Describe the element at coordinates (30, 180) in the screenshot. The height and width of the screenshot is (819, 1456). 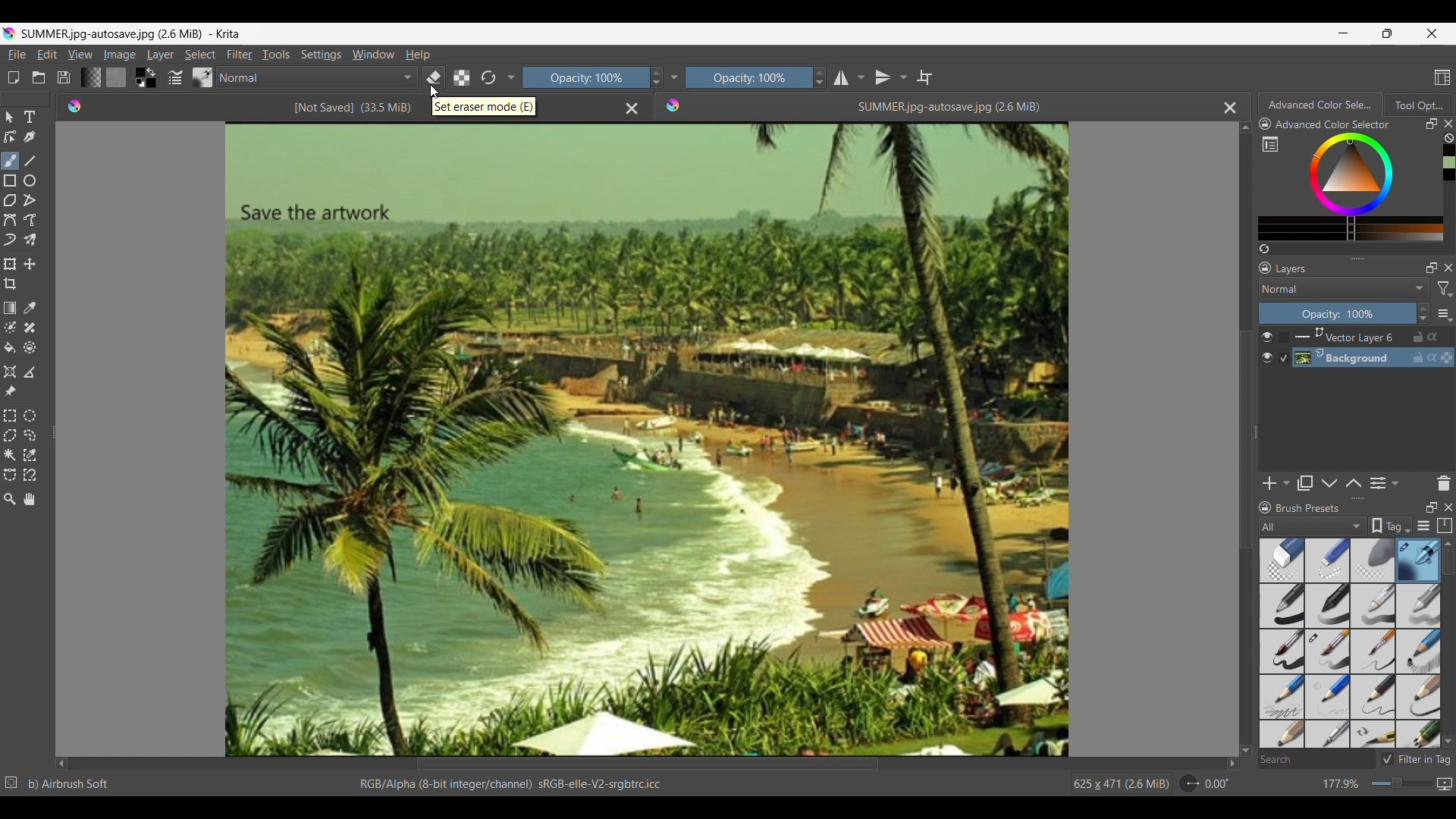
I see `Ellipse tool` at that location.